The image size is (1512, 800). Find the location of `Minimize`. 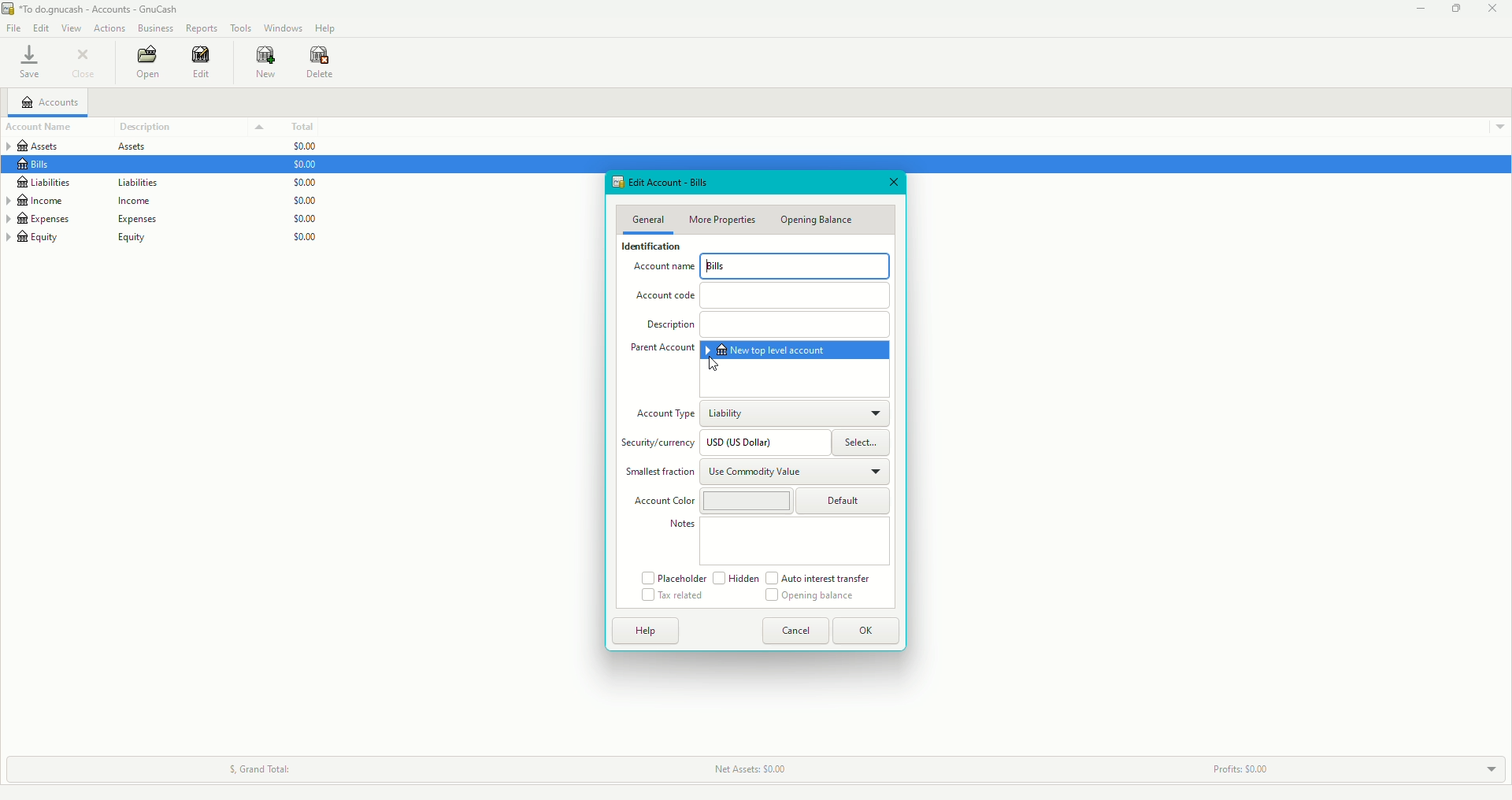

Minimize is located at coordinates (1417, 10).